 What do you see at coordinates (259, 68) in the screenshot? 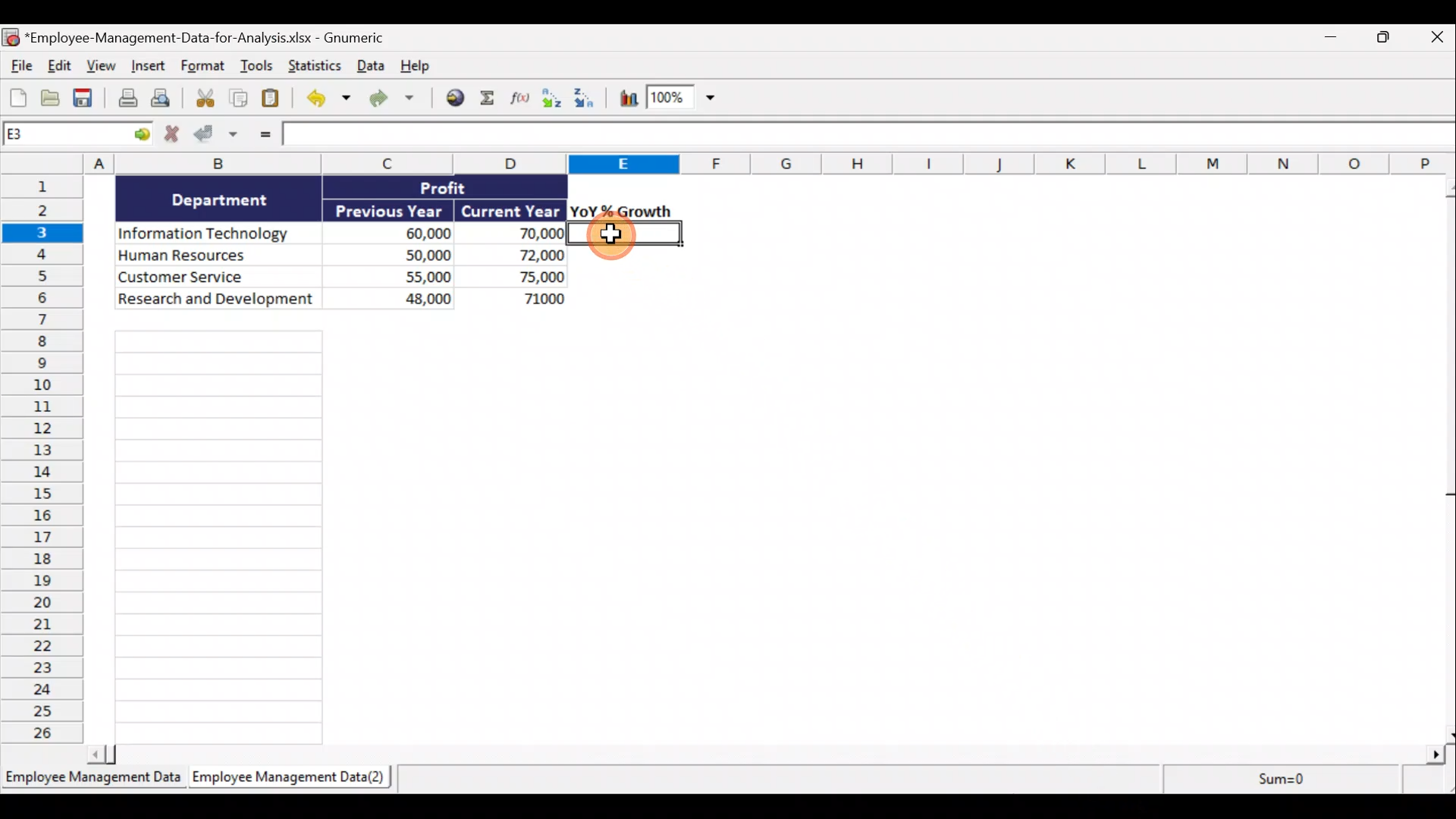
I see `Tools` at bounding box center [259, 68].